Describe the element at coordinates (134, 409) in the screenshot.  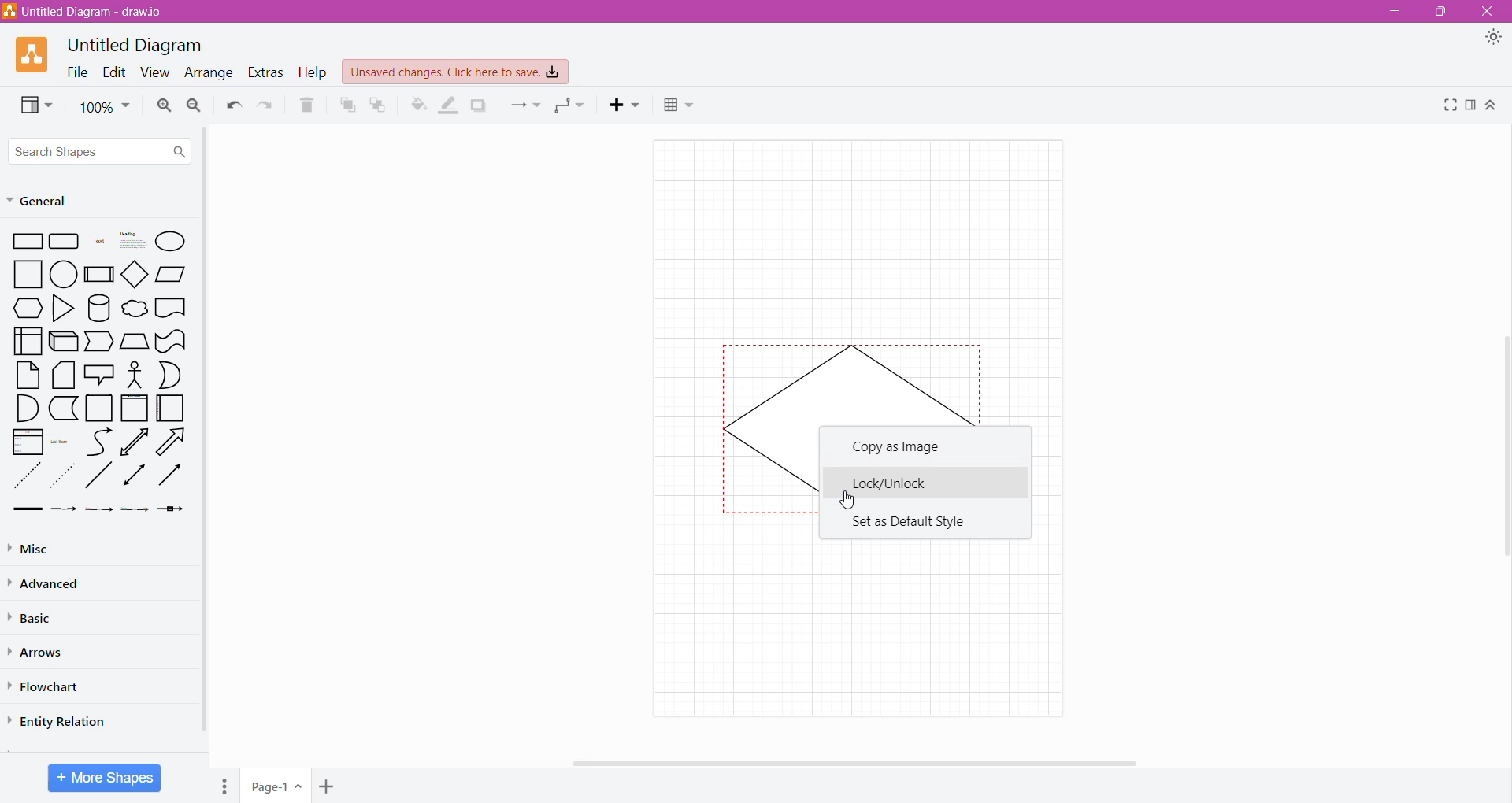
I see `Vertical Container` at that location.